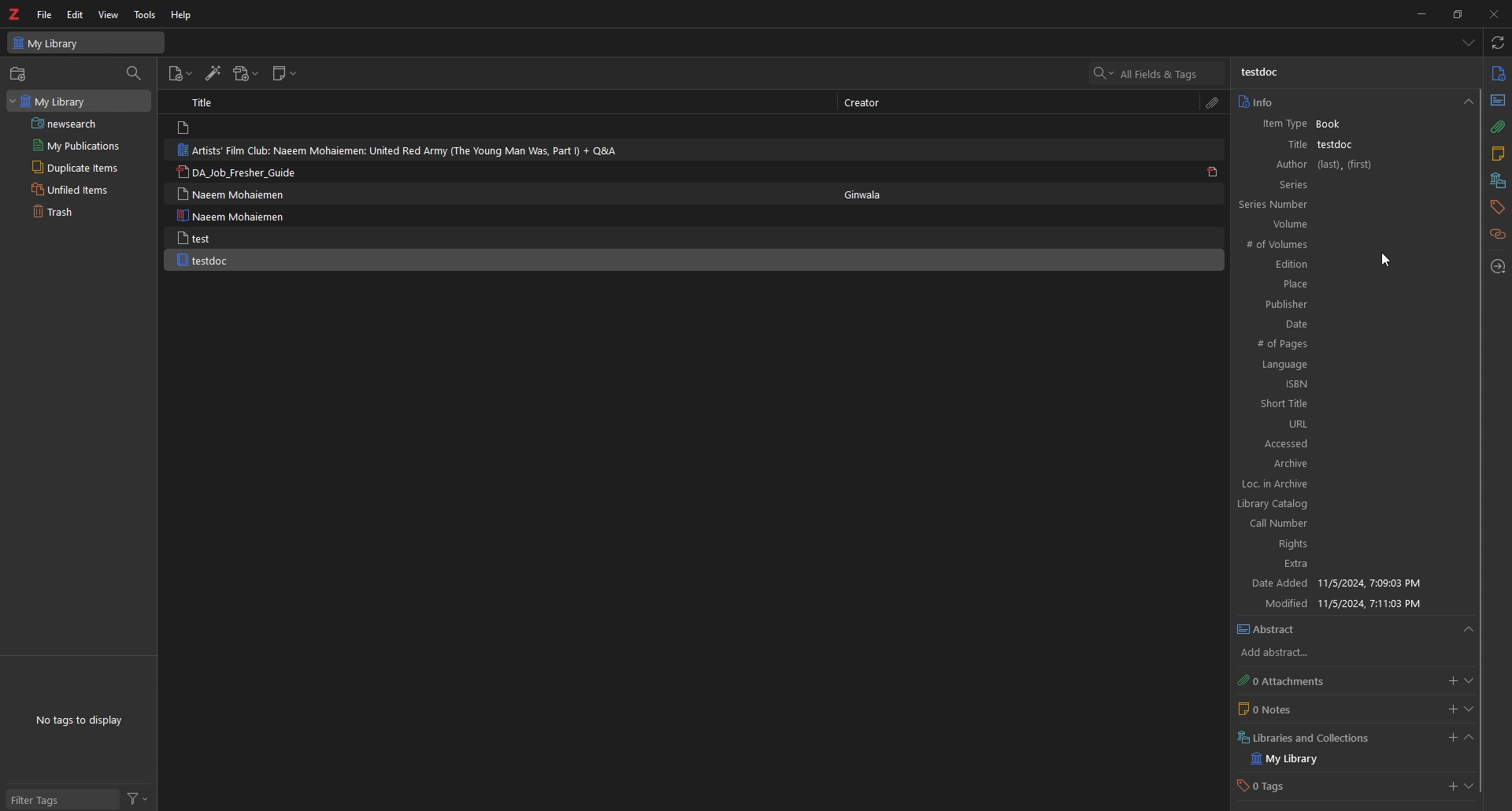  What do you see at coordinates (1278, 524) in the screenshot?
I see `Call Number` at bounding box center [1278, 524].